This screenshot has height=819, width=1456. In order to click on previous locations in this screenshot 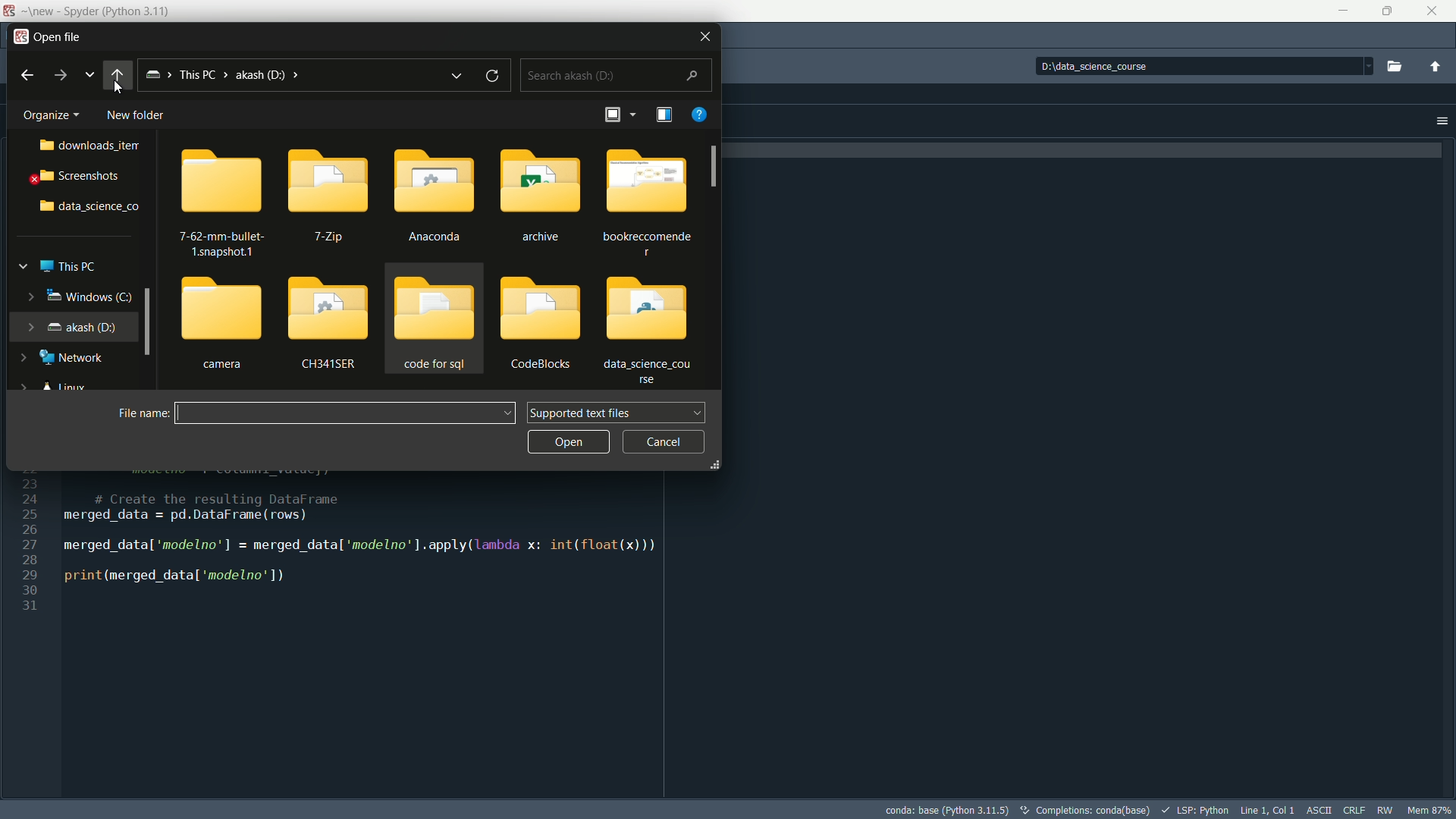, I will do `click(456, 73)`.